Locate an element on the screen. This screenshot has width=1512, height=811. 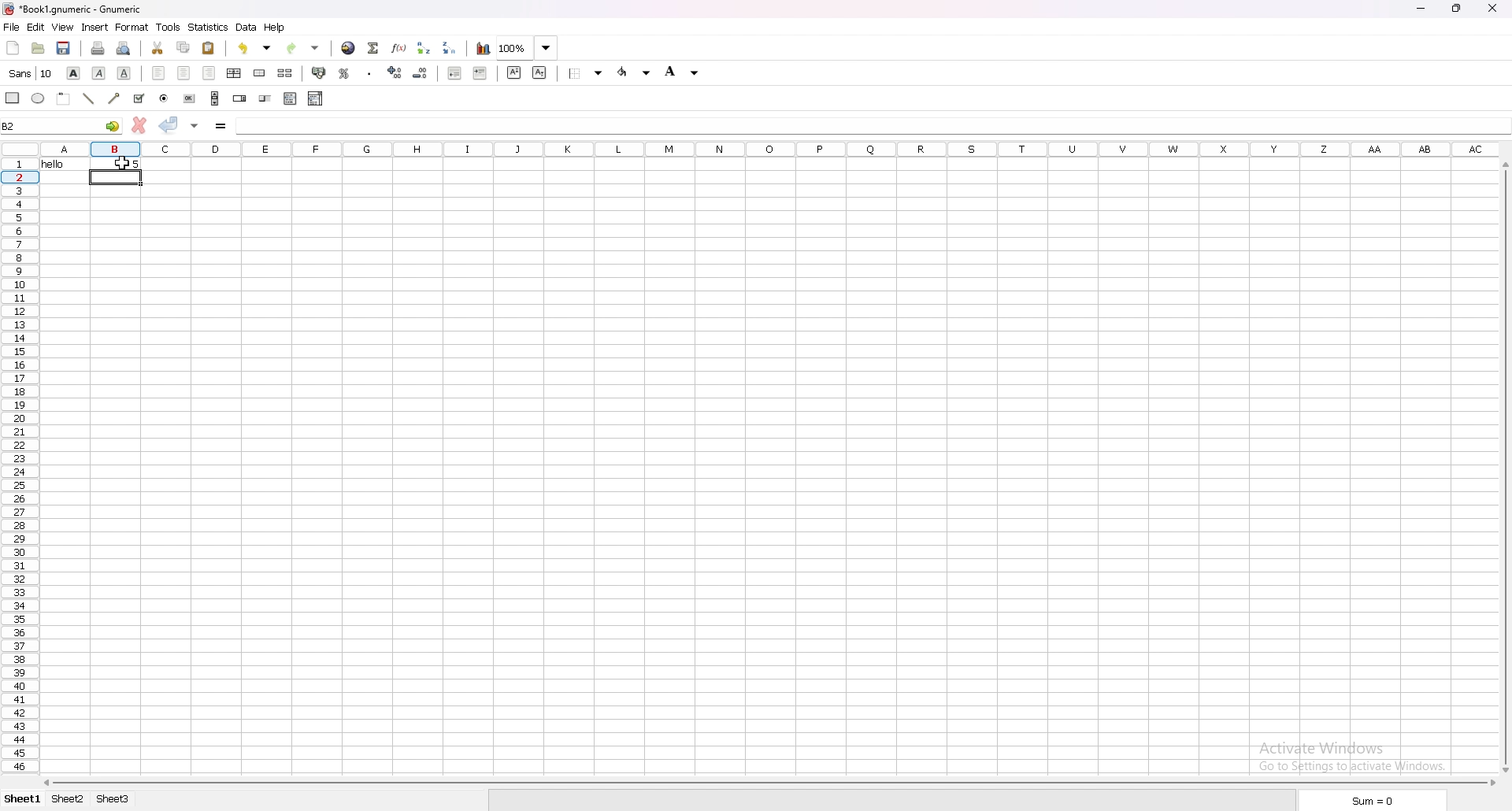
background is located at coordinates (587, 72).